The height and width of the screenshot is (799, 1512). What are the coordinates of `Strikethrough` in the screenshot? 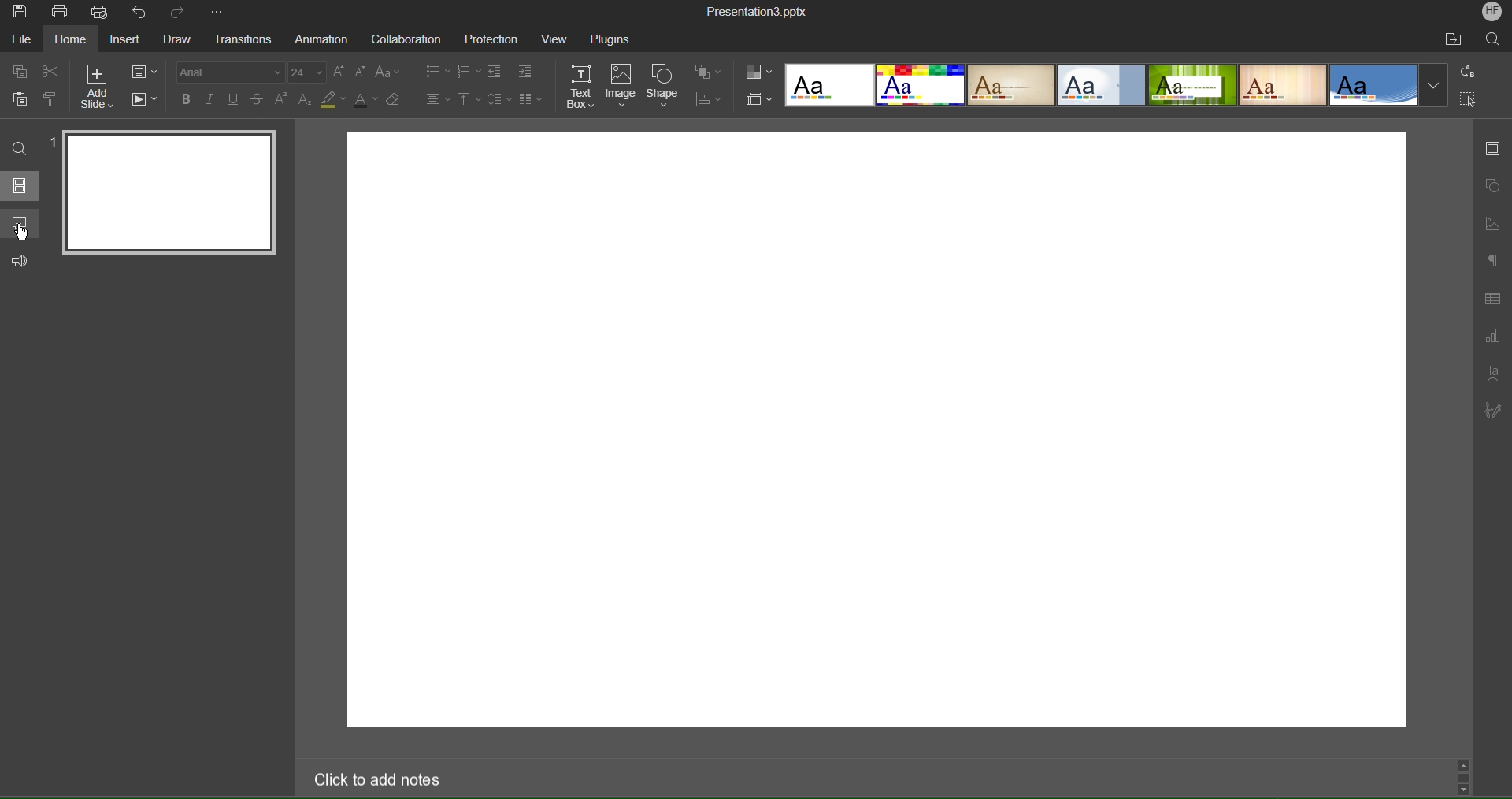 It's located at (258, 100).